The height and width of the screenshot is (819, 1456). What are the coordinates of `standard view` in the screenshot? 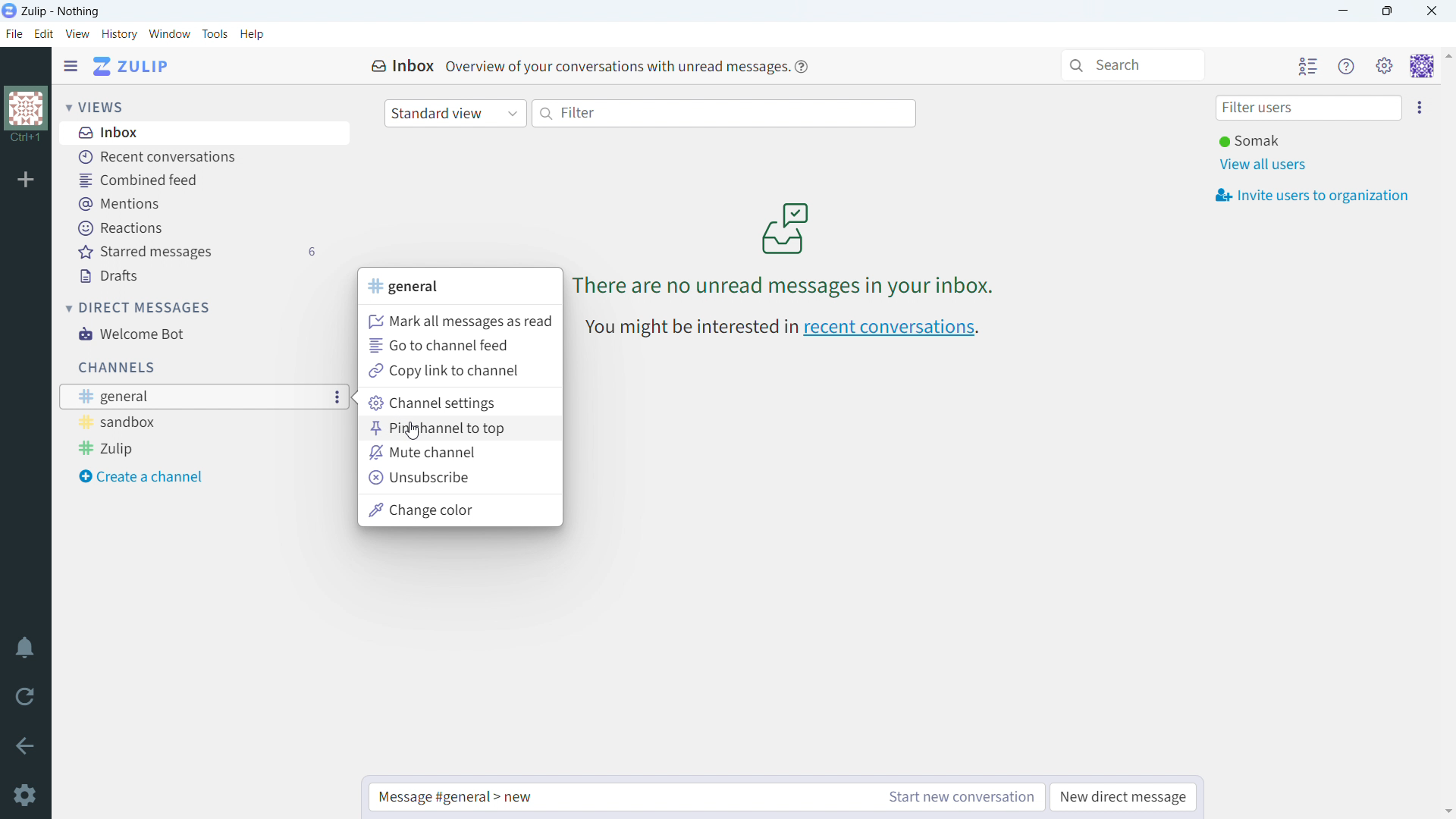 It's located at (455, 114).